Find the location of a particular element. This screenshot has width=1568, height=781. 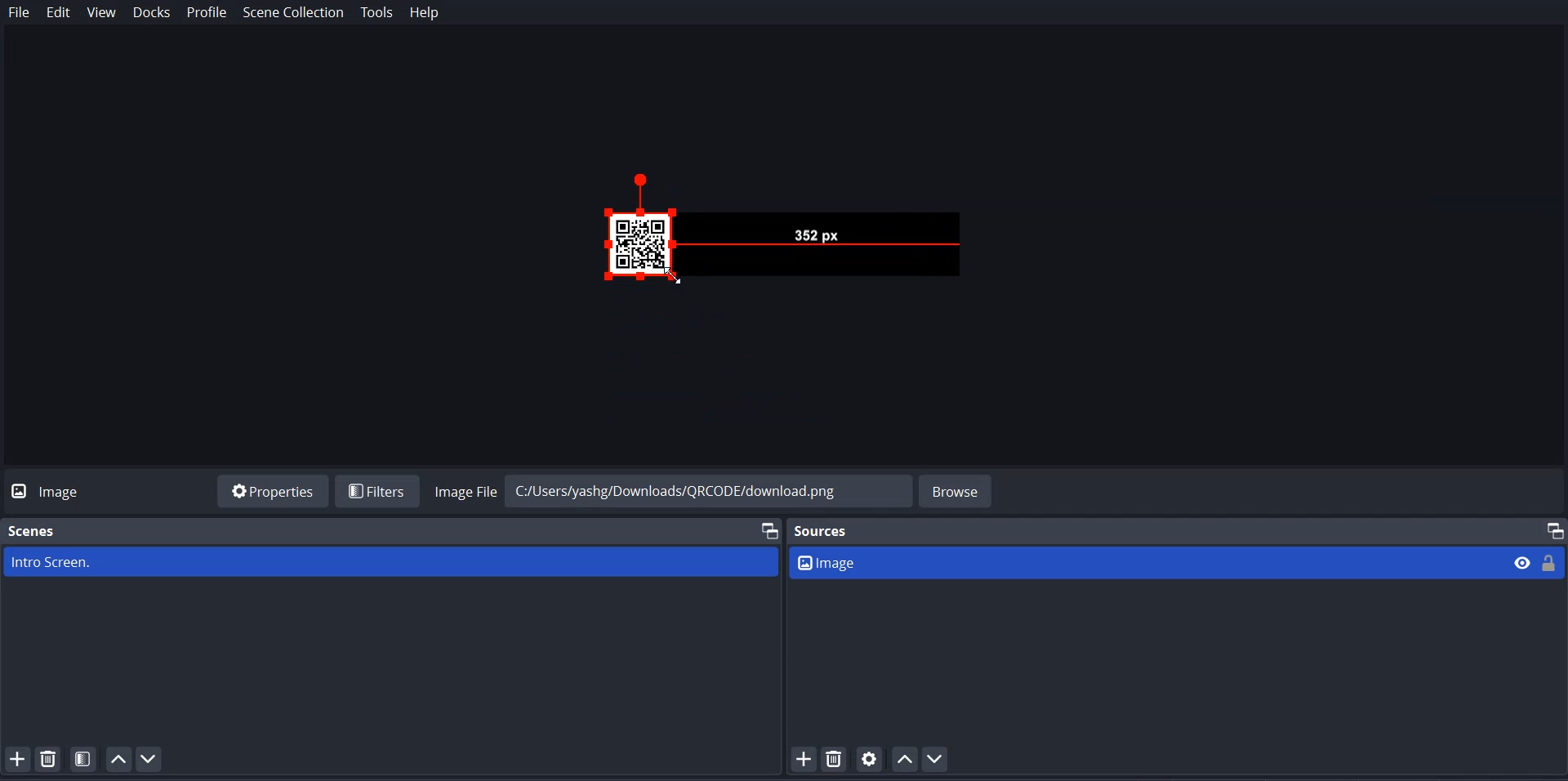

Move Source Down is located at coordinates (935, 758).